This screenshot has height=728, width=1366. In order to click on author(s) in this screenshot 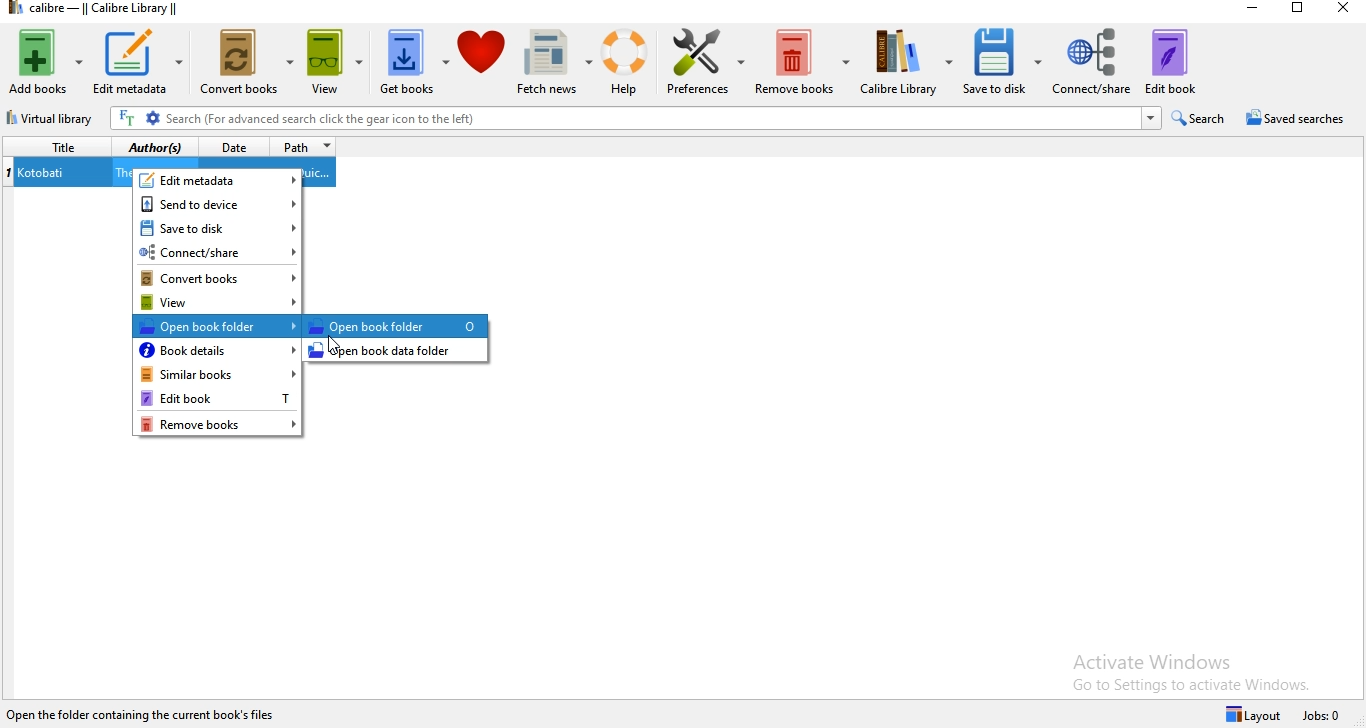, I will do `click(157, 149)`.